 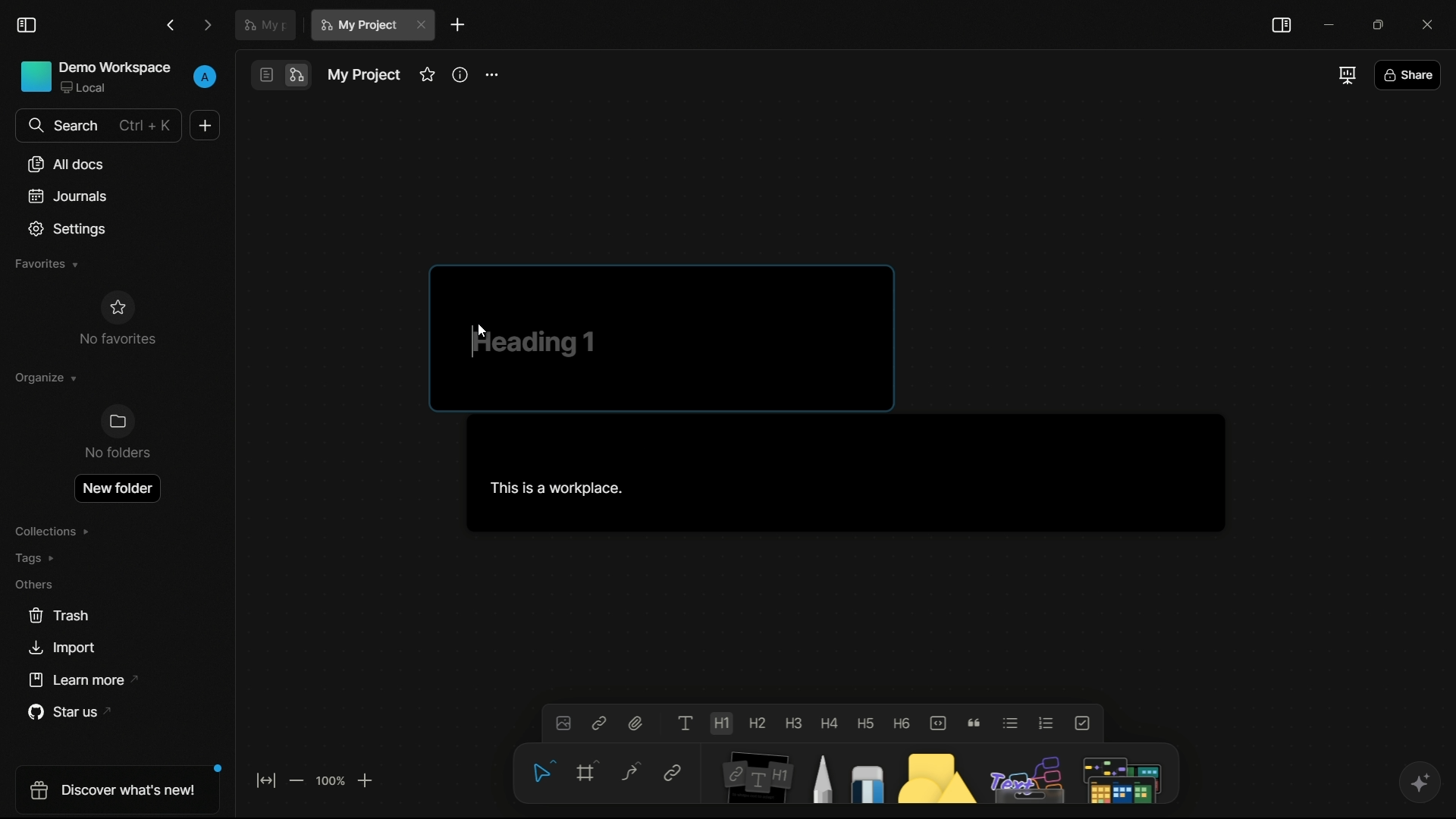 I want to click on close app, so click(x=1432, y=23).